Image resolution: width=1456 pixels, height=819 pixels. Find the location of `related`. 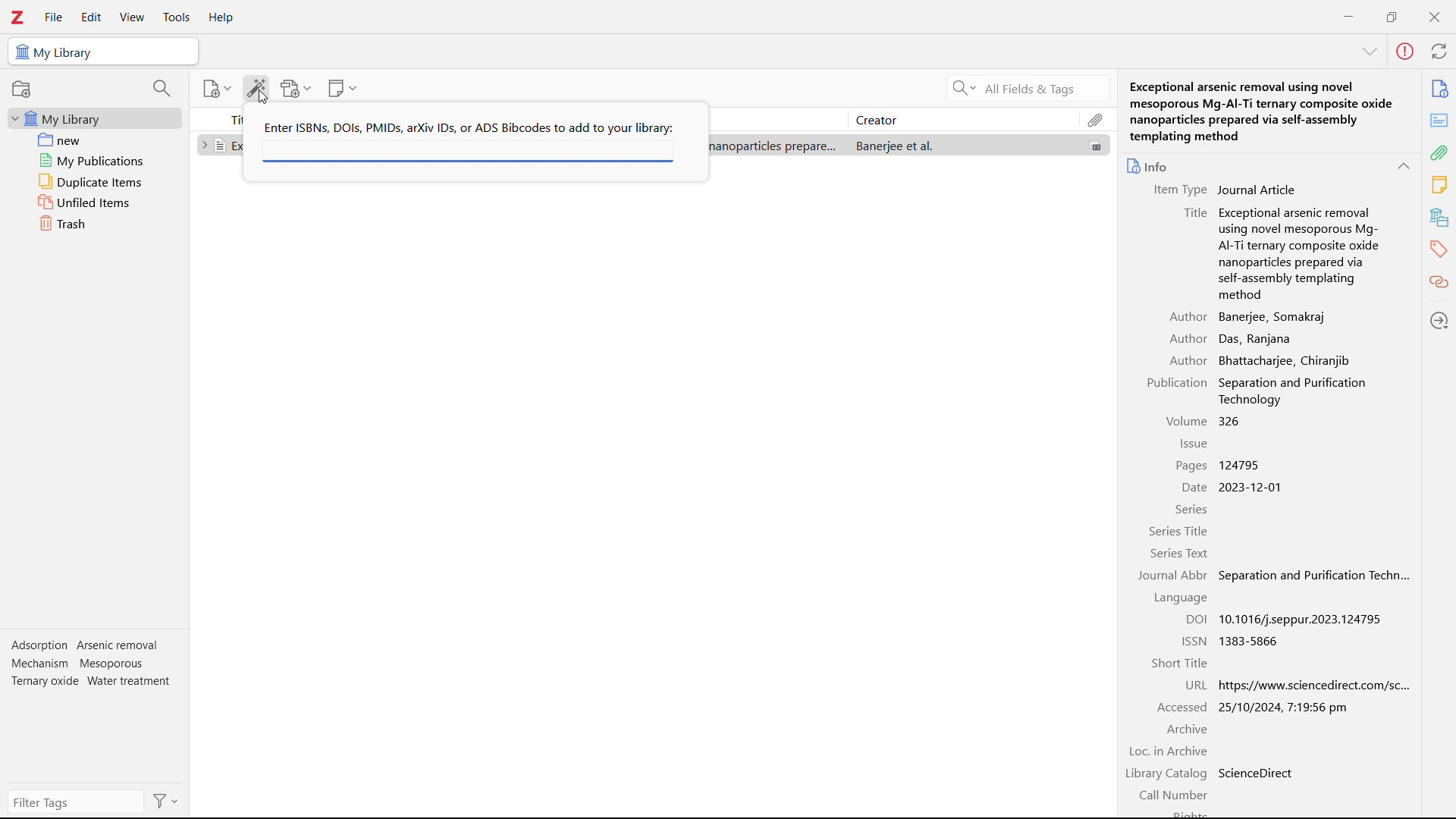

related is located at coordinates (1440, 282).